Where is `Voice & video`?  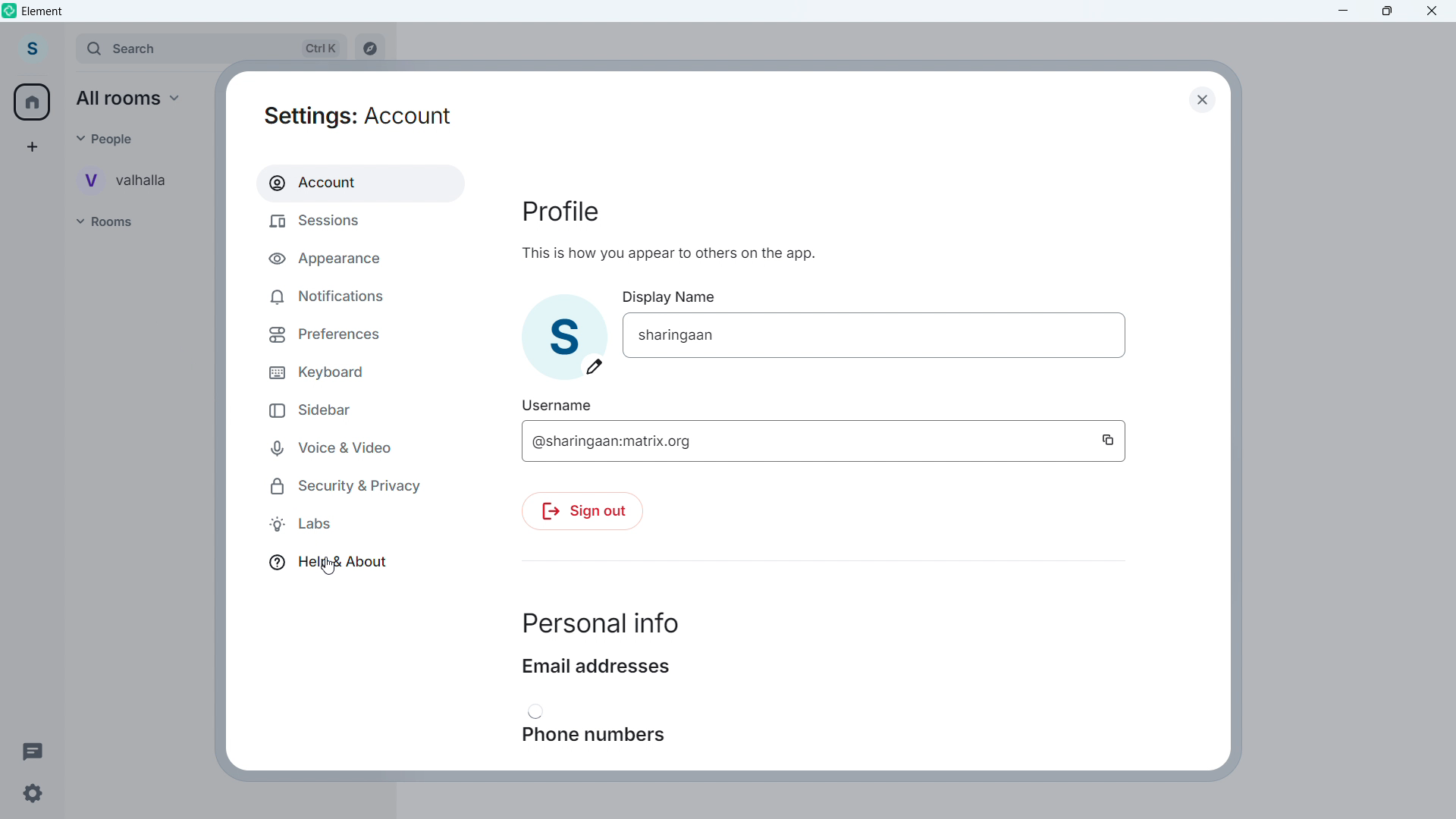 Voice & video is located at coordinates (330, 447).